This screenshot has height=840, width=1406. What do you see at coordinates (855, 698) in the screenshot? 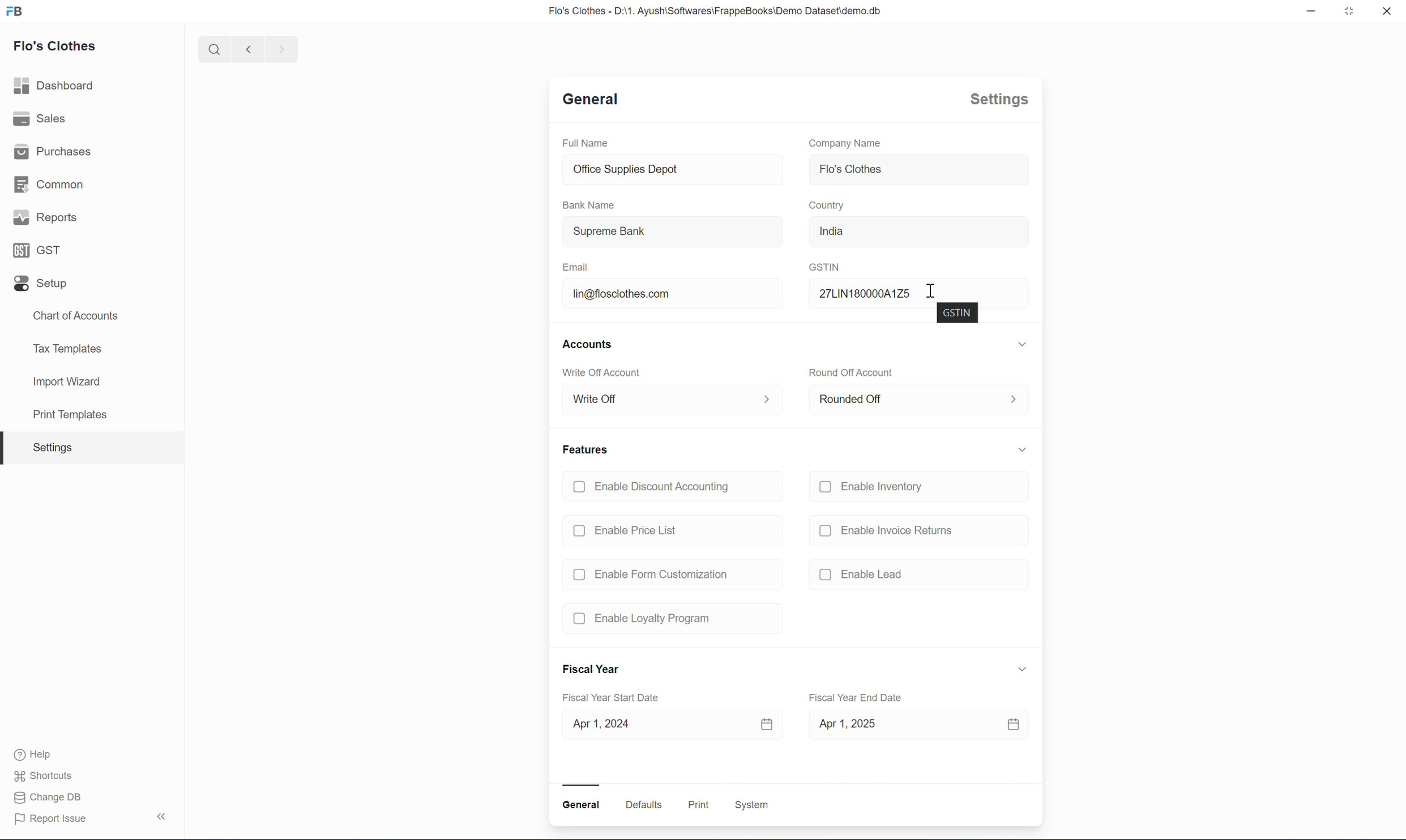
I see `Fiscal Year End Date` at bounding box center [855, 698].